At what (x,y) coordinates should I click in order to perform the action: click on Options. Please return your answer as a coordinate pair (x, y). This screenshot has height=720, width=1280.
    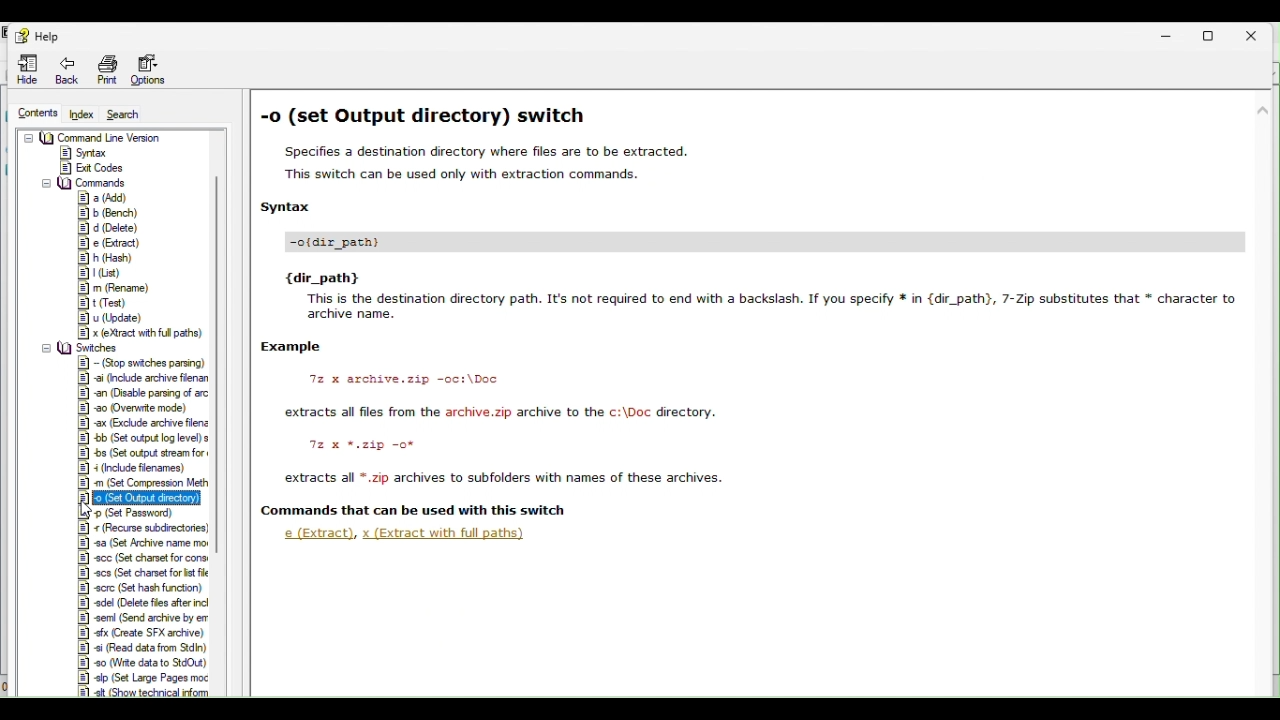
    Looking at the image, I should click on (151, 70).